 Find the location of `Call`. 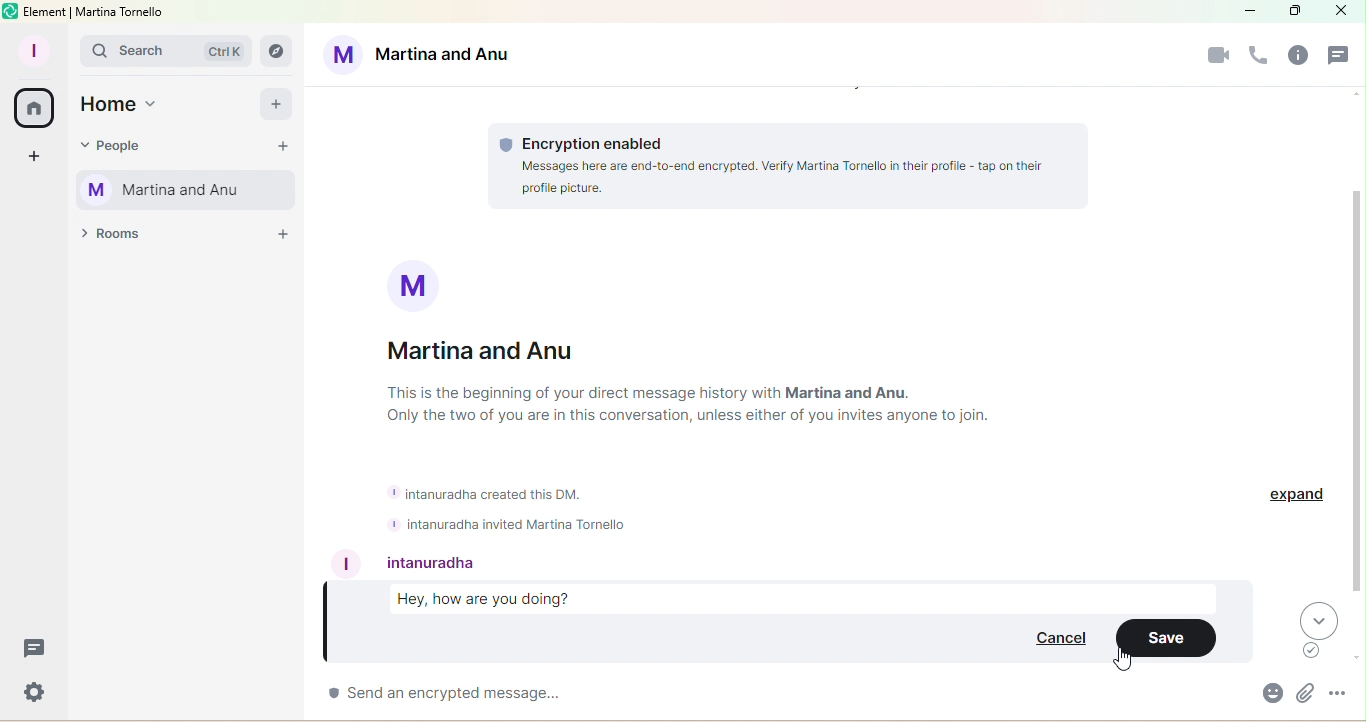

Call is located at coordinates (1260, 56).